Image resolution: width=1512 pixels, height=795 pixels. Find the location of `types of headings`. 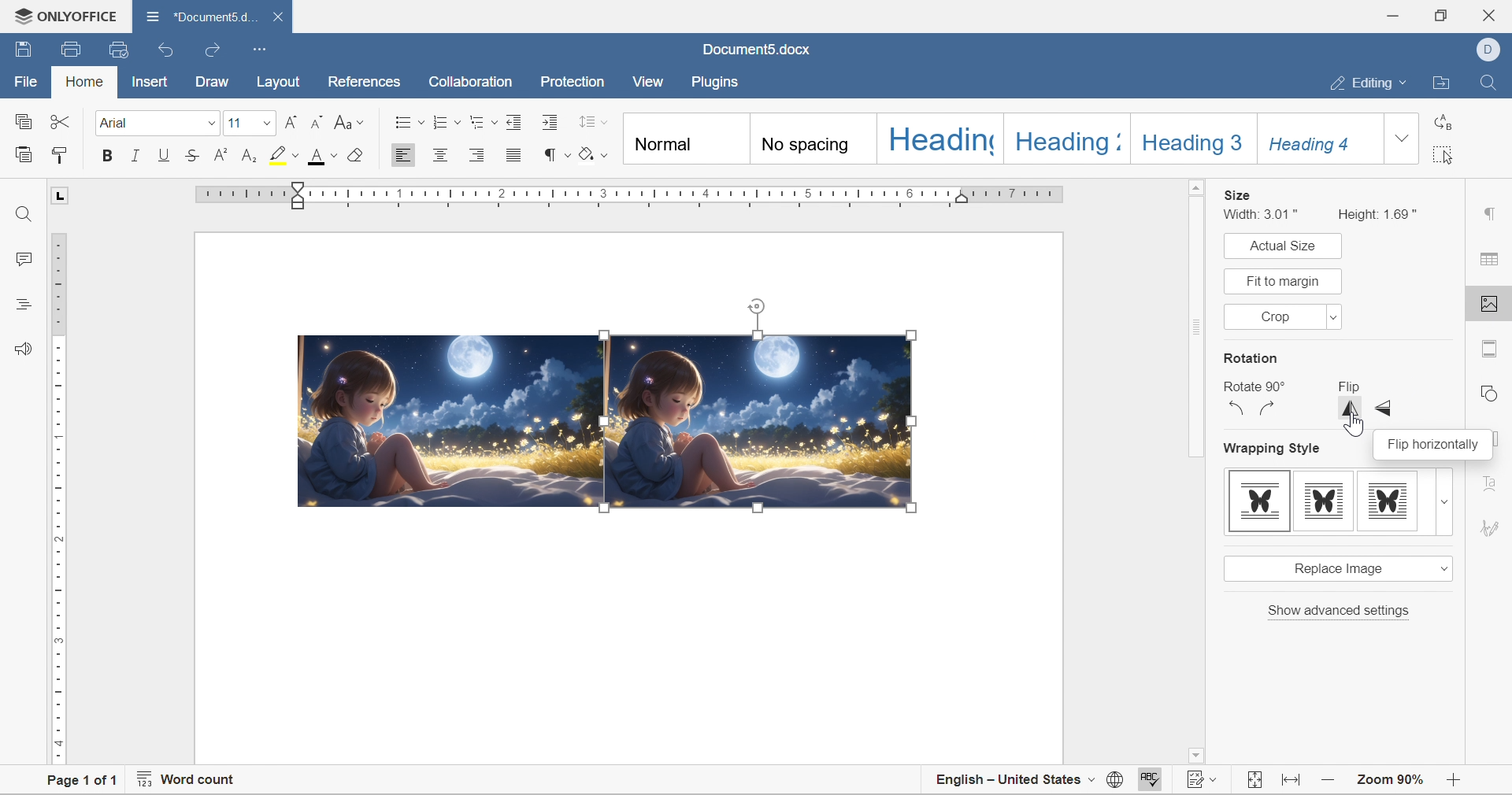

types of headings is located at coordinates (999, 139).